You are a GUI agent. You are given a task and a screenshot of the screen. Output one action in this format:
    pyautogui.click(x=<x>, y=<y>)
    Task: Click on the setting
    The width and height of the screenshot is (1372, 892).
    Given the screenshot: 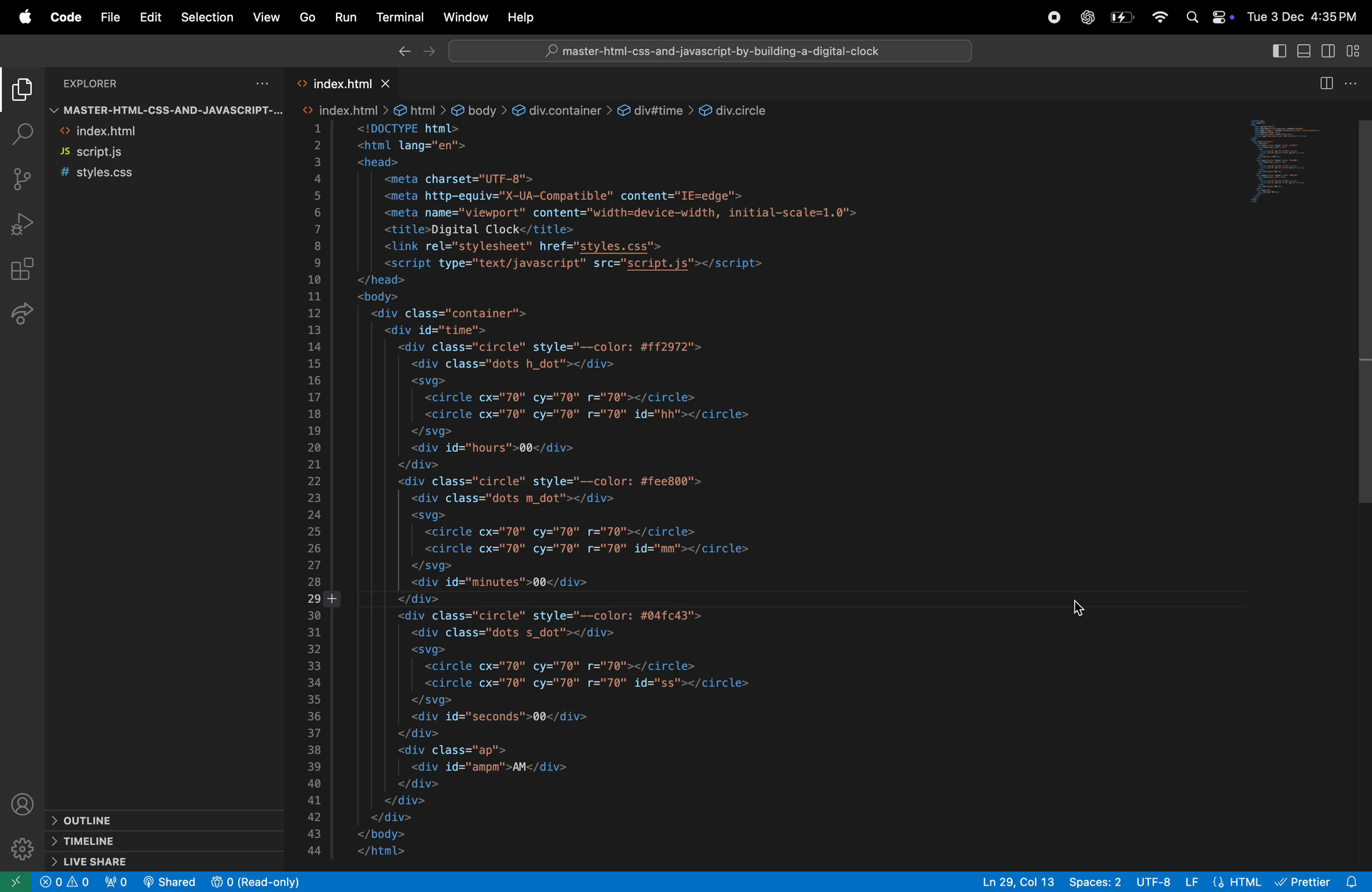 What is the action you would take?
    pyautogui.click(x=19, y=851)
    